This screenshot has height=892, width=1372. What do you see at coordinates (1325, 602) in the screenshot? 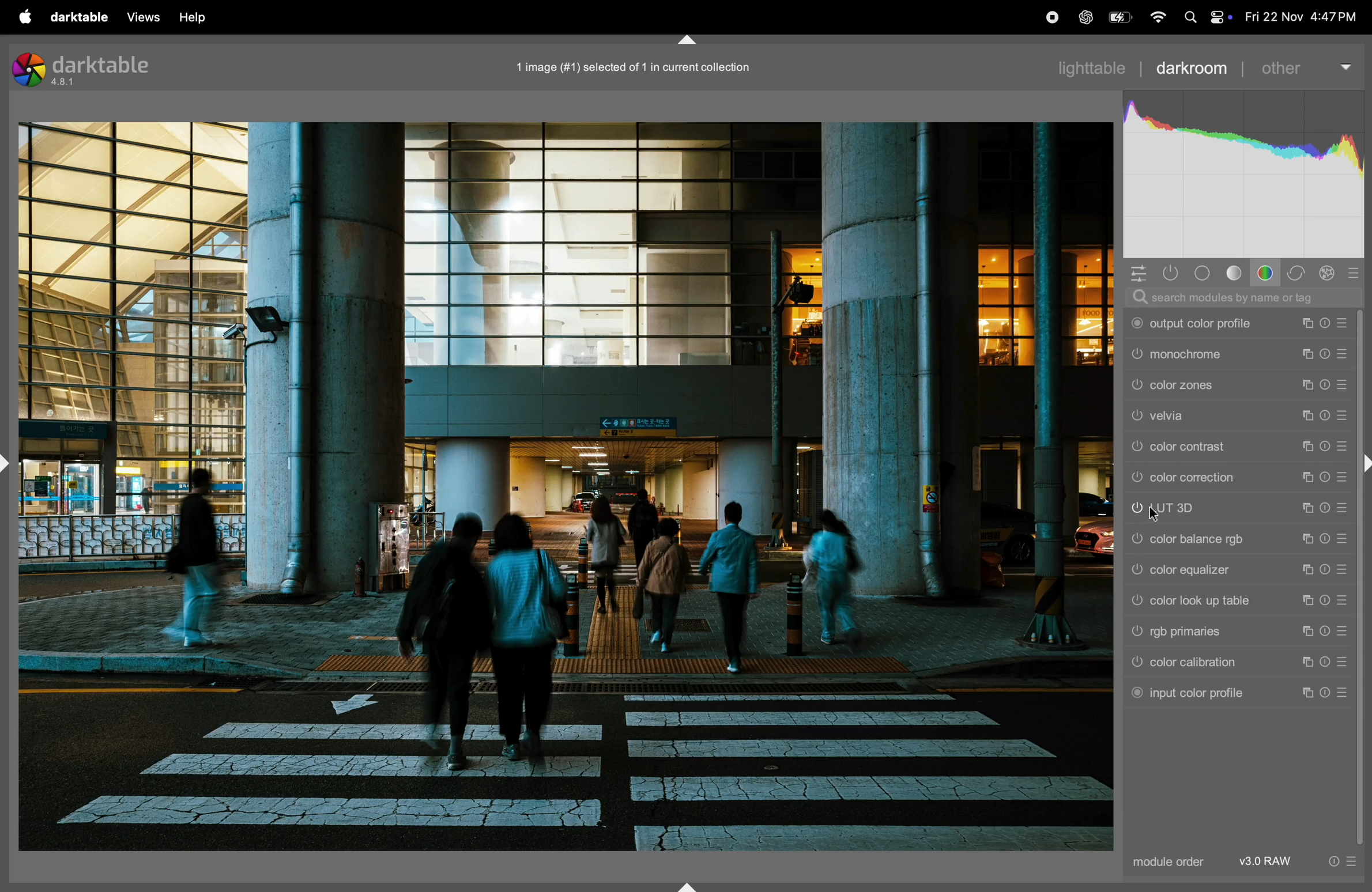
I see `reset` at bounding box center [1325, 602].